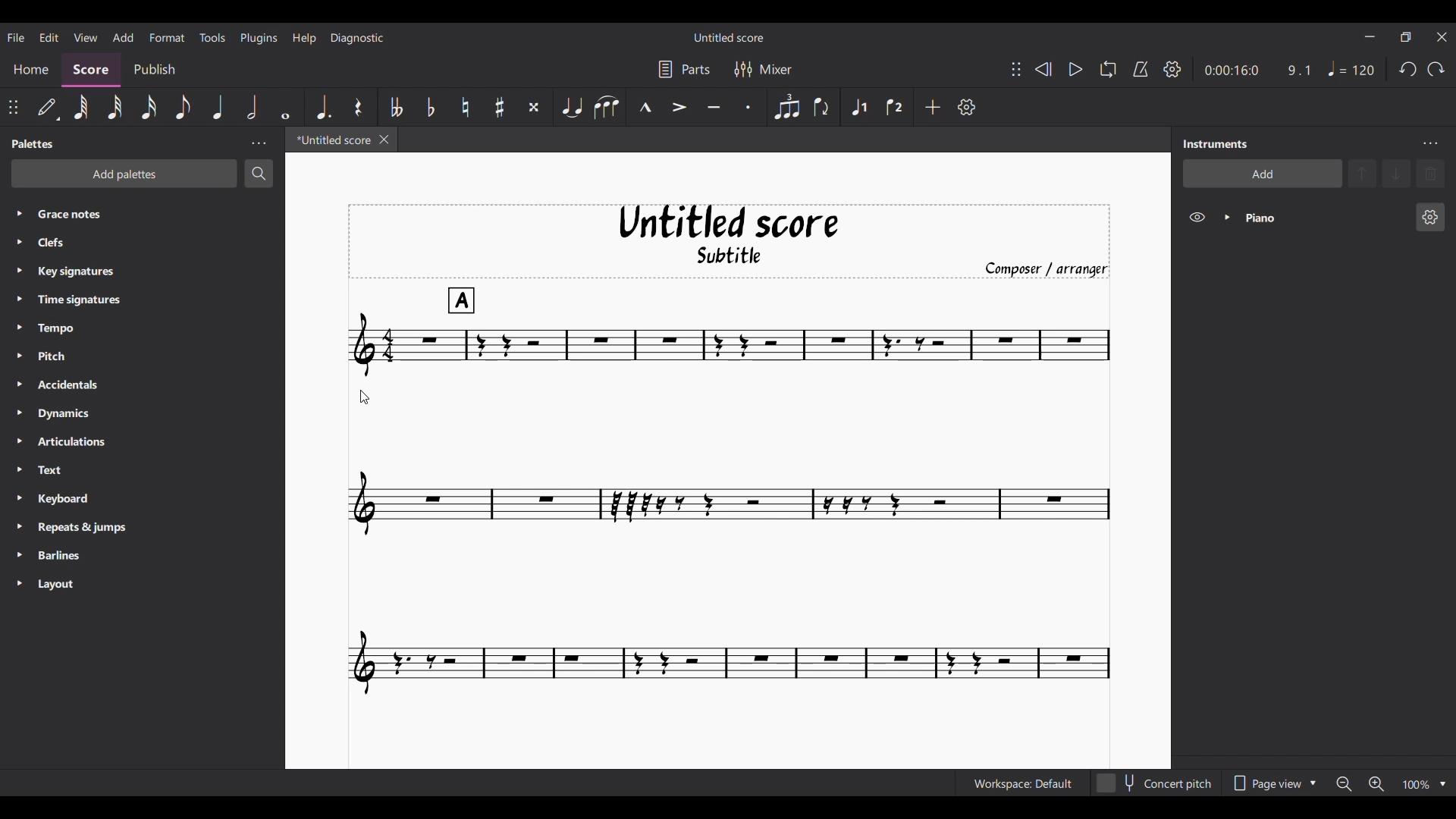 The width and height of the screenshot is (1456, 819). I want to click on Diagnostic menu, so click(358, 38).